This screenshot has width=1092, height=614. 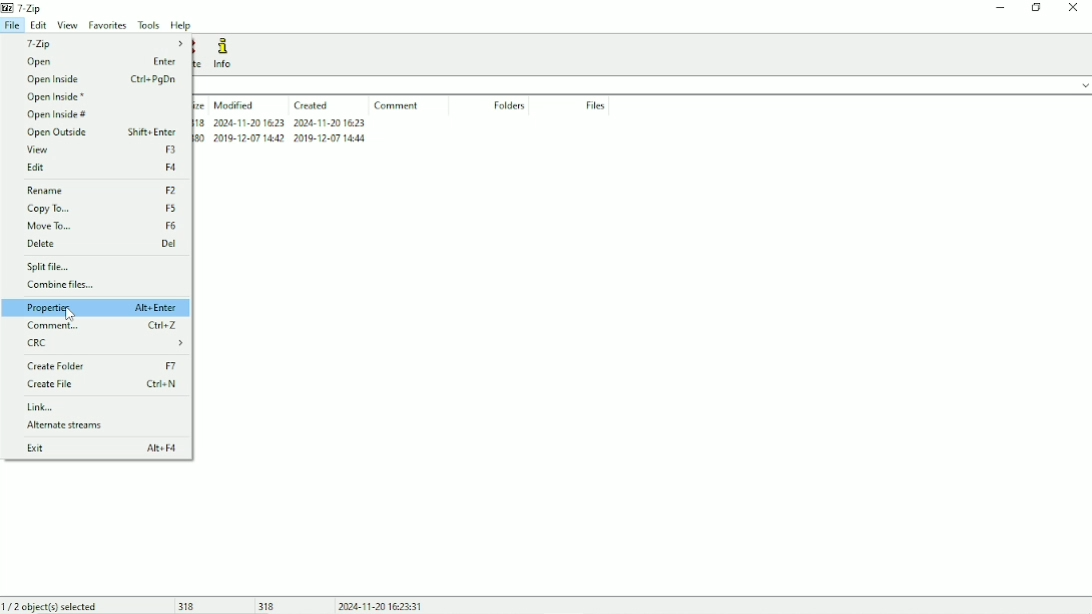 What do you see at coordinates (225, 53) in the screenshot?
I see `Info` at bounding box center [225, 53].